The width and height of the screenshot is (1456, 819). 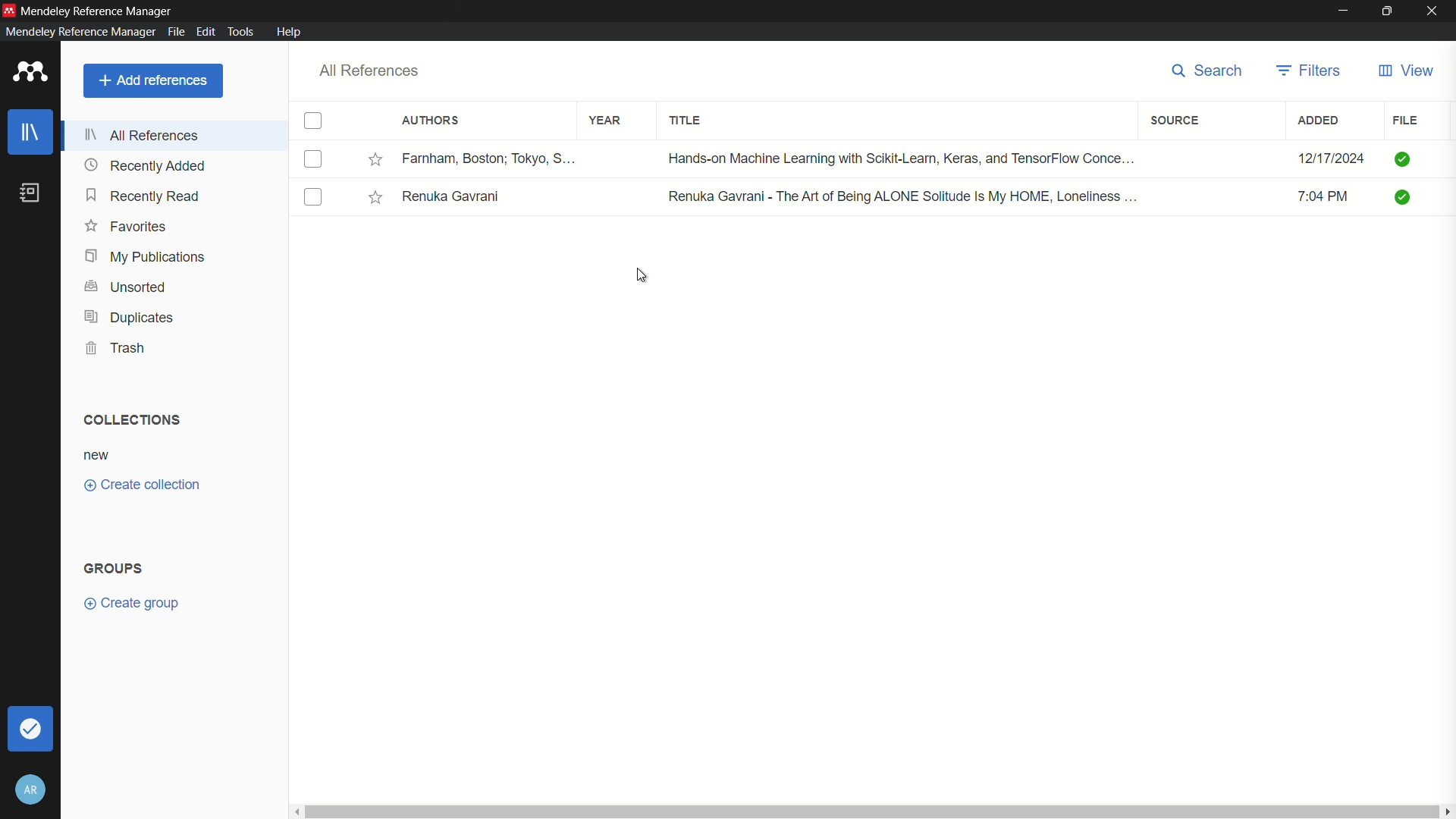 What do you see at coordinates (686, 119) in the screenshot?
I see `title` at bounding box center [686, 119].